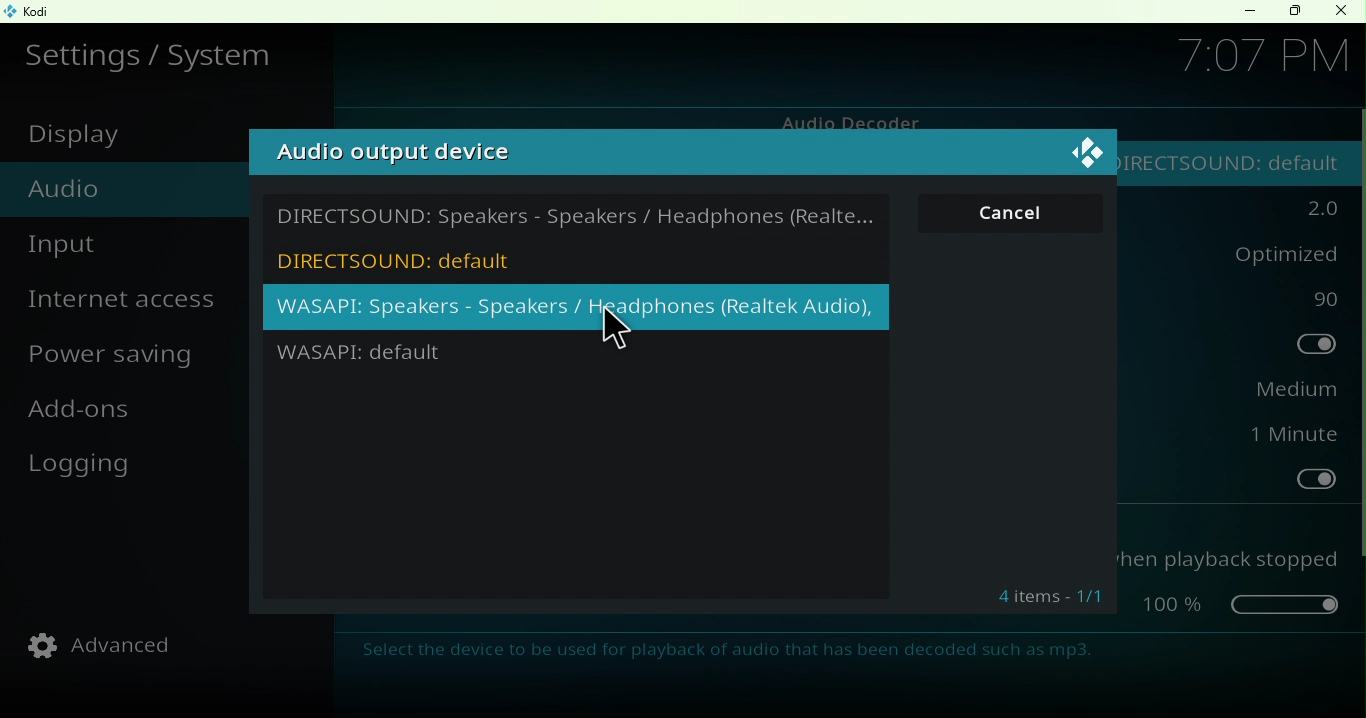 The image size is (1366, 718). Describe the element at coordinates (90, 417) in the screenshot. I see `Add-ons` at that location.